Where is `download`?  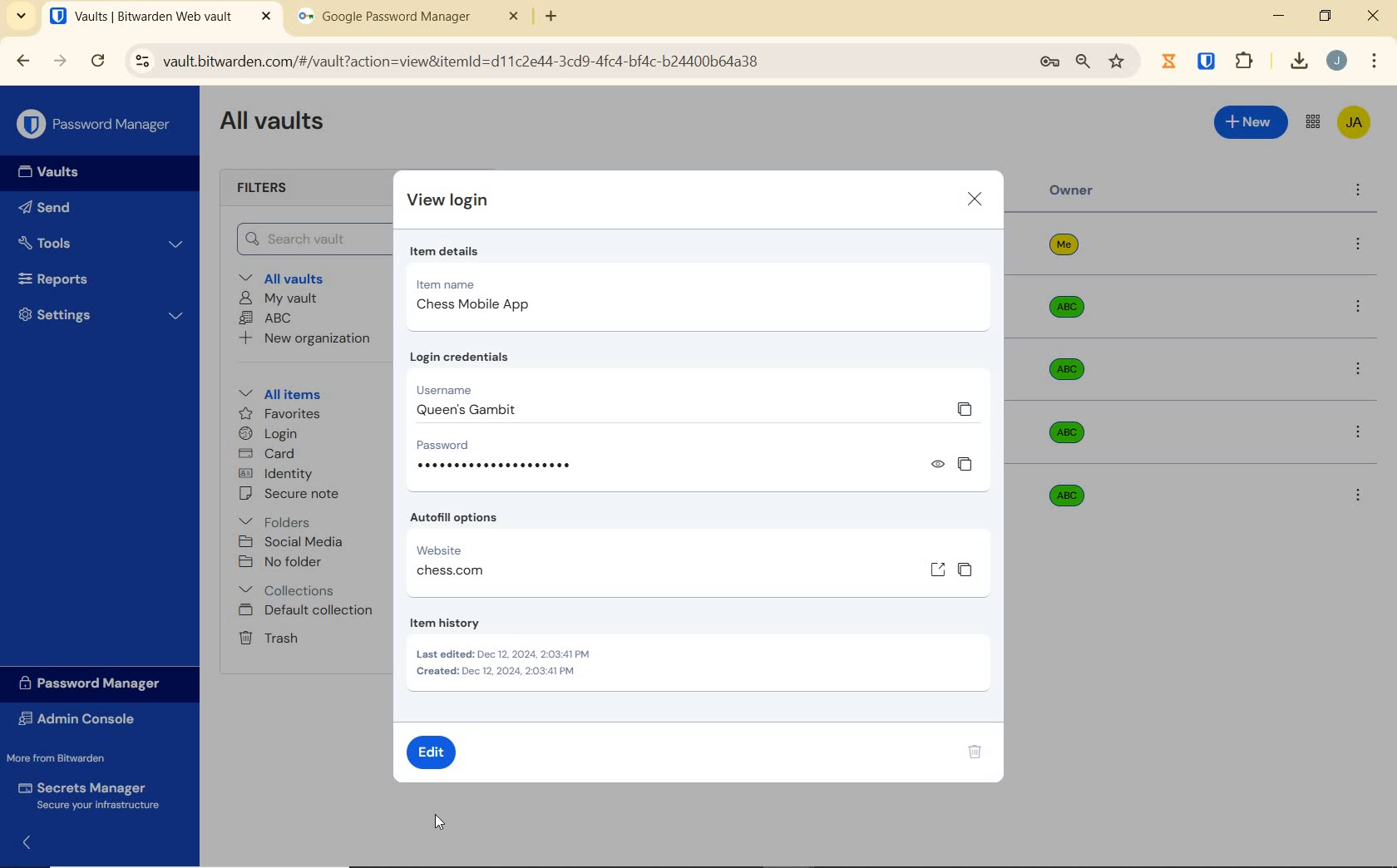
download is located at coordinates (1298, 61).